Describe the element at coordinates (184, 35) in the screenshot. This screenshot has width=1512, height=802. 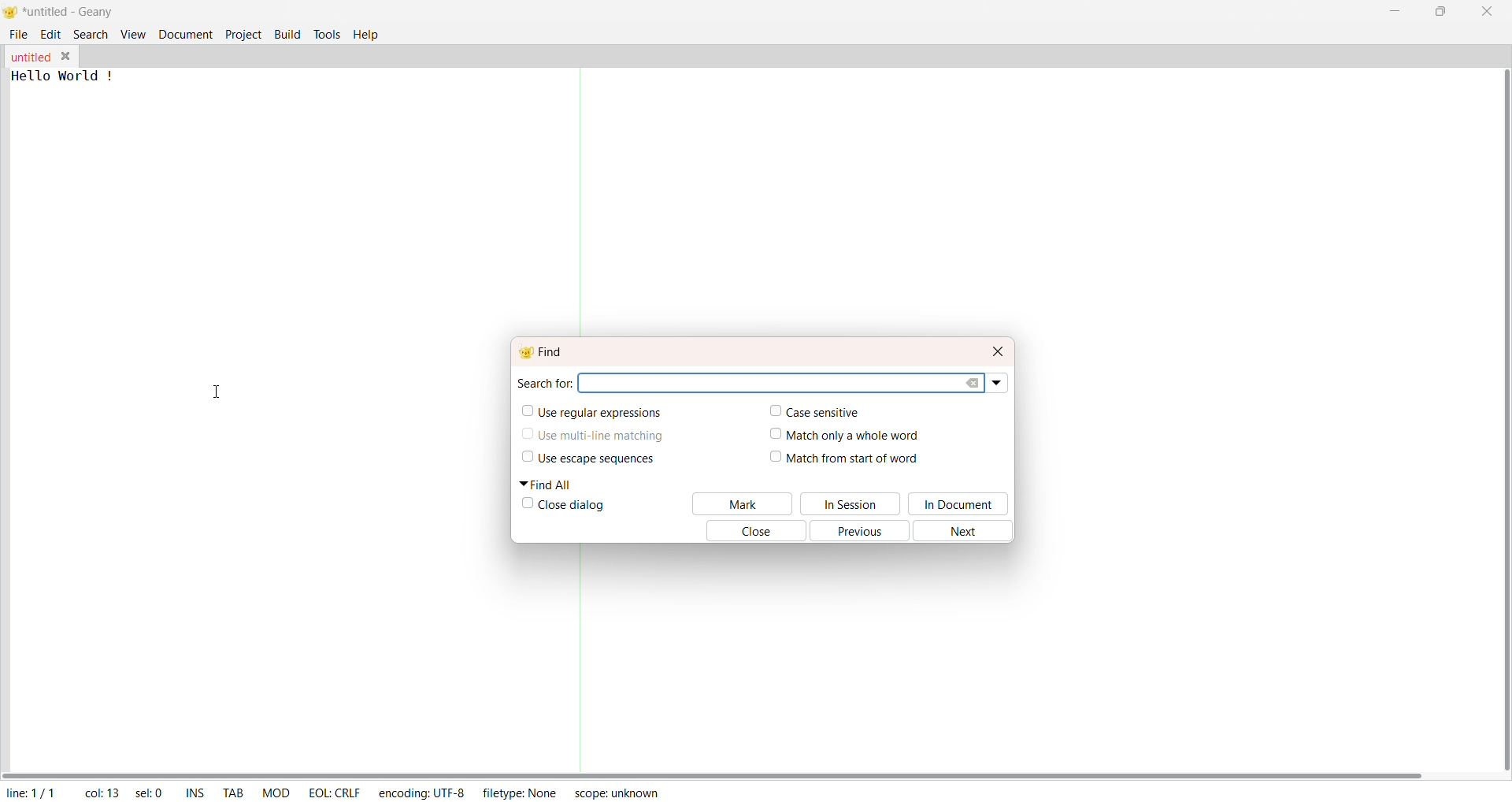
I see `Document` at that location.